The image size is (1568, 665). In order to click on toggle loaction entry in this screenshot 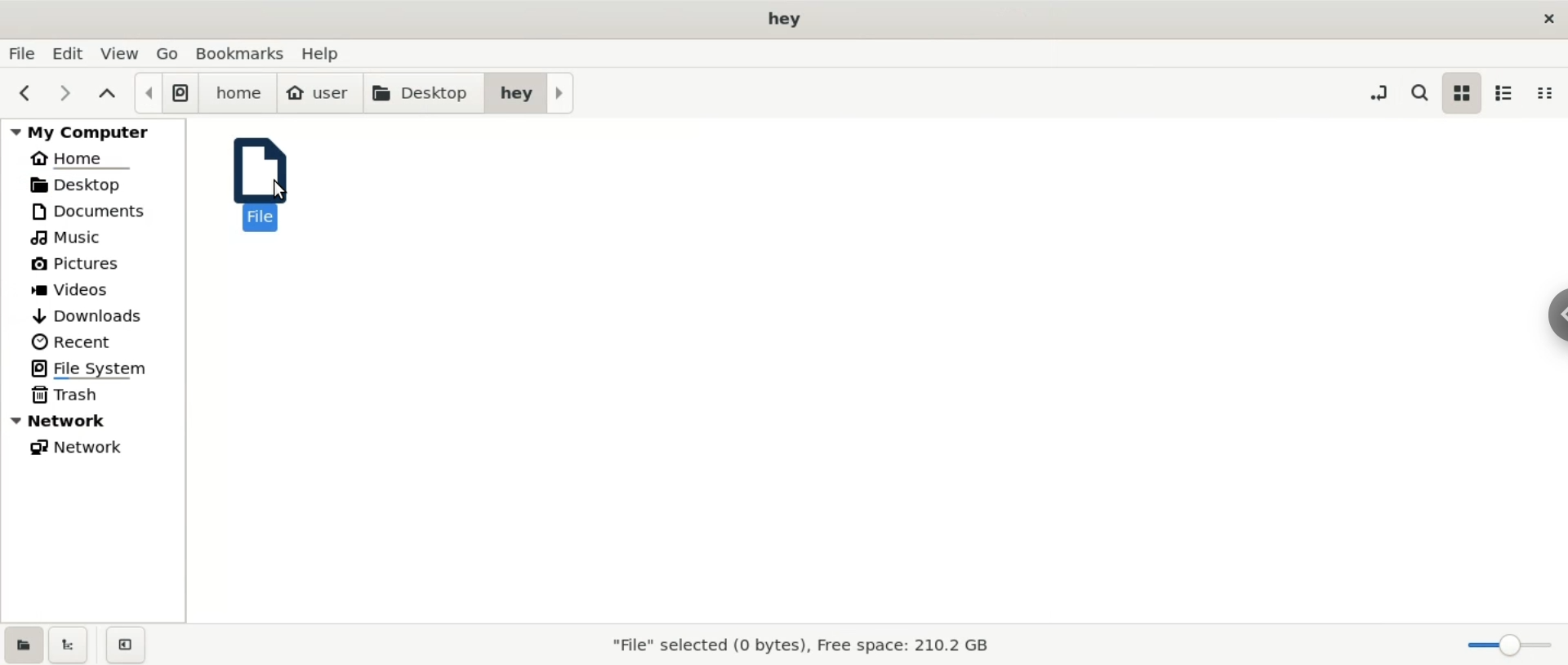, I will do `click(1382, 91)`.